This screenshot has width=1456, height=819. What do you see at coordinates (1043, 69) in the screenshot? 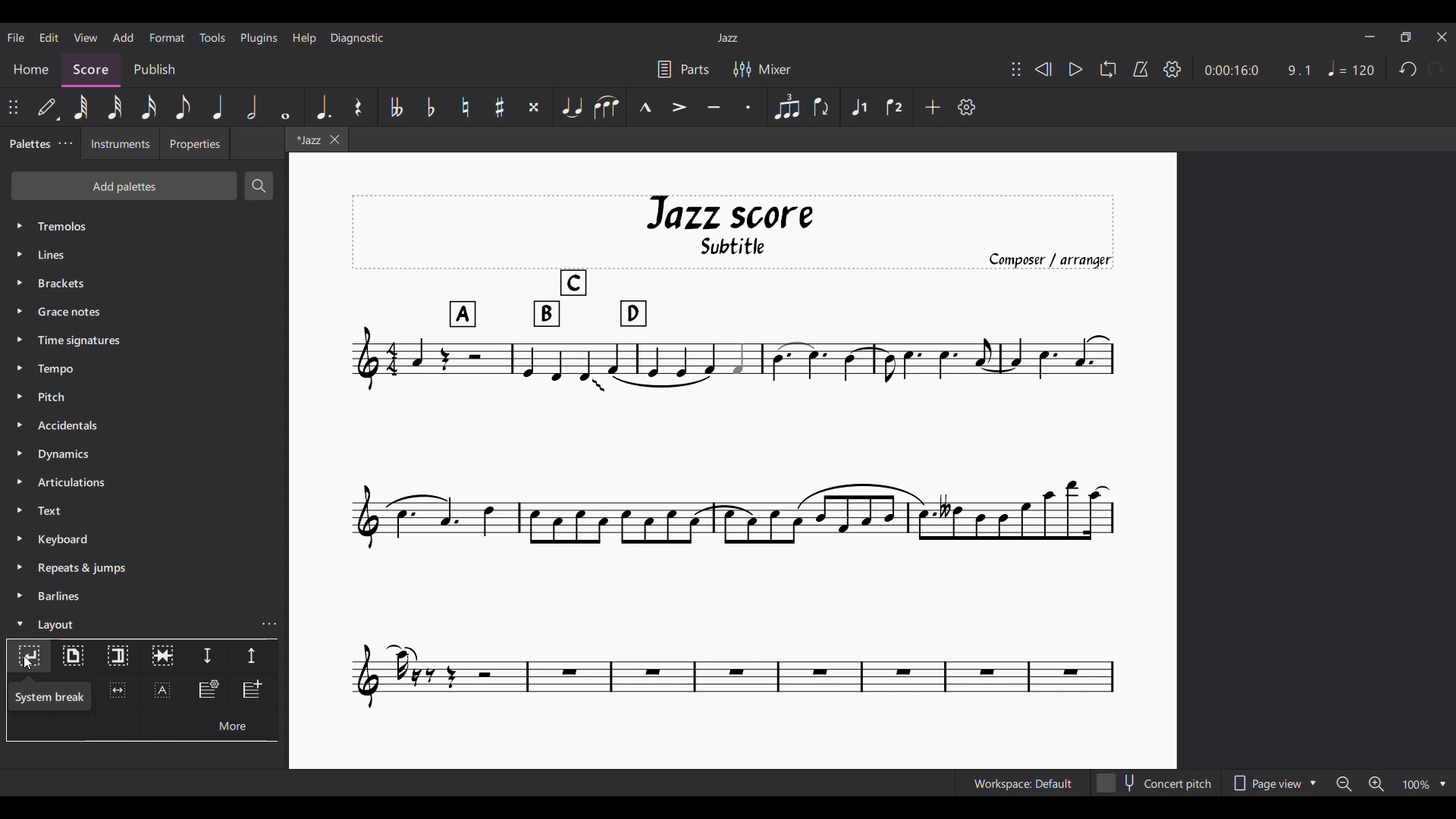
I see `Rewind` at bounding box center [1043, 69].